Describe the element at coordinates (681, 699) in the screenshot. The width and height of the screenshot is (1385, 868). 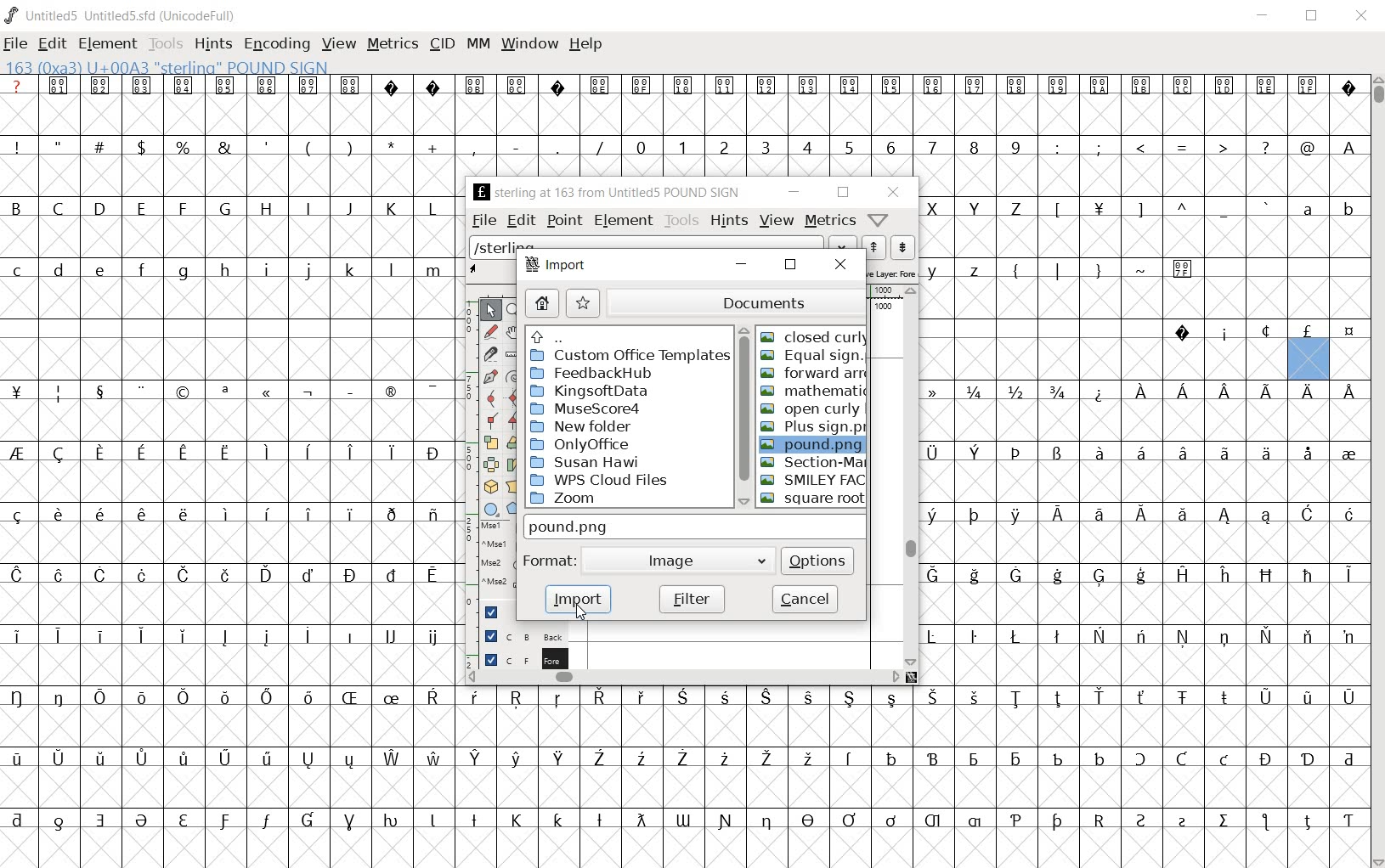
I see `Symbol` at that location.